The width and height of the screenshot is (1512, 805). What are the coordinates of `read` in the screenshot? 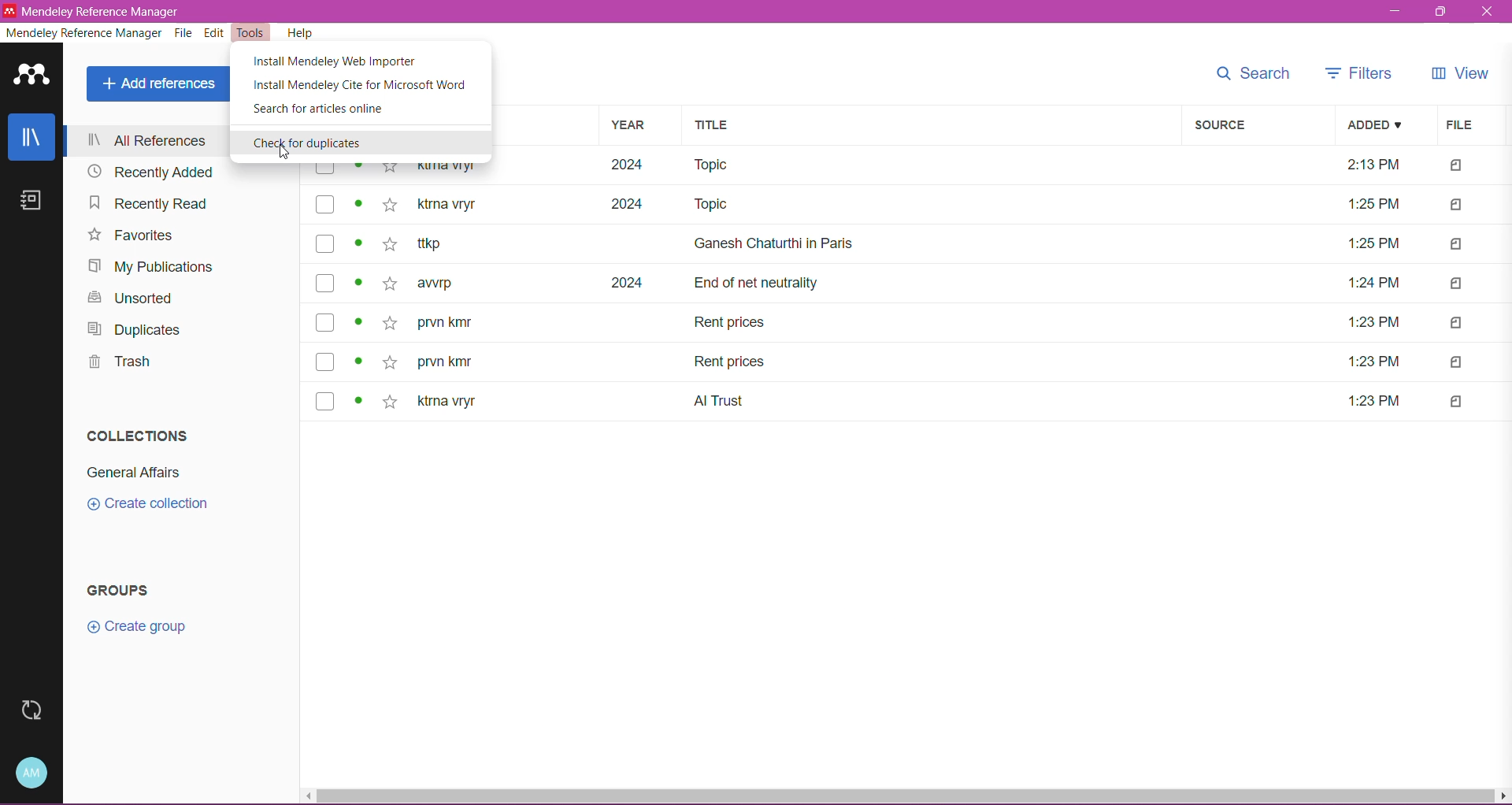 It's located at (361, 399).